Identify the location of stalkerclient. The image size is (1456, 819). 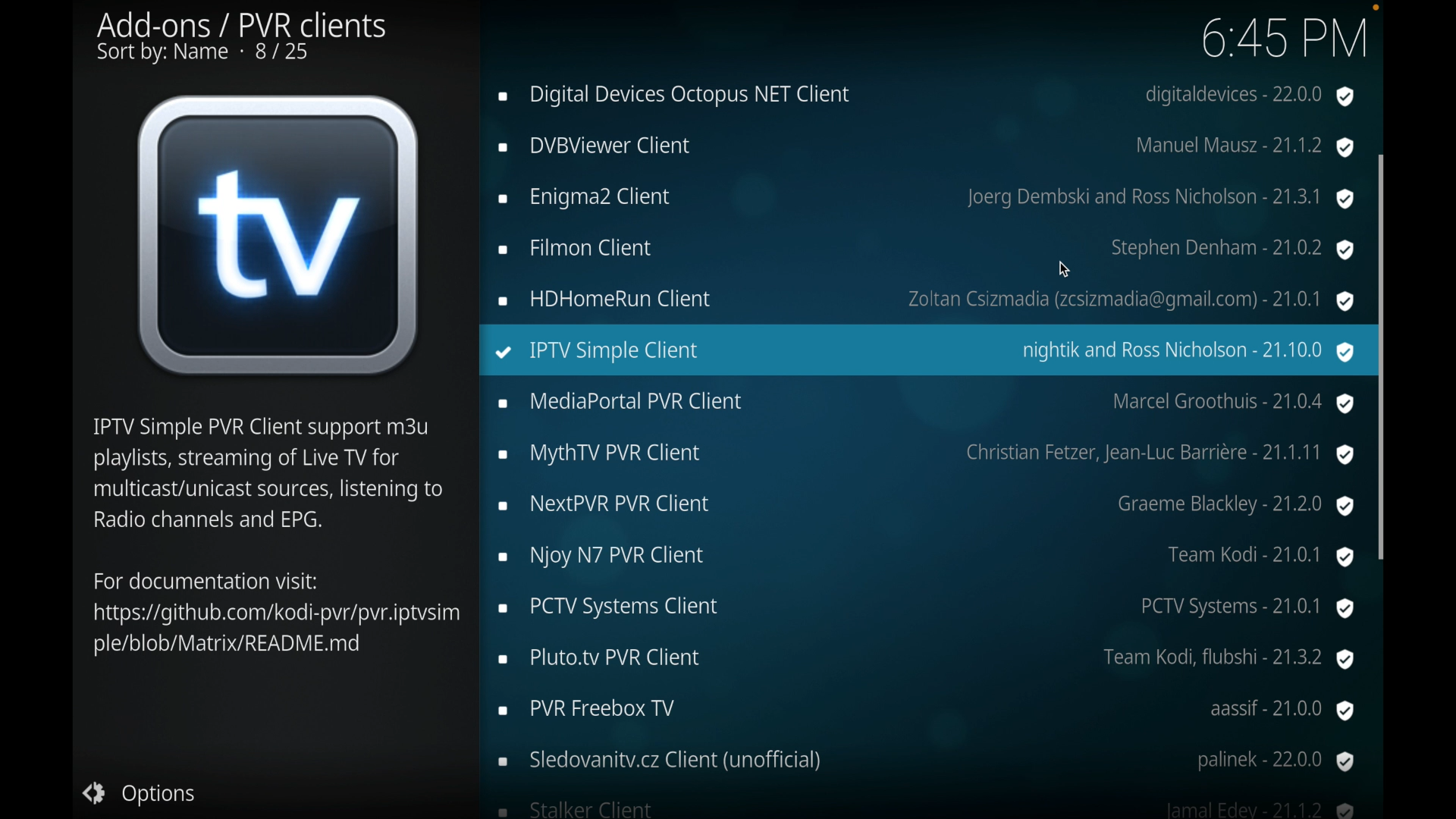
(927, 809).